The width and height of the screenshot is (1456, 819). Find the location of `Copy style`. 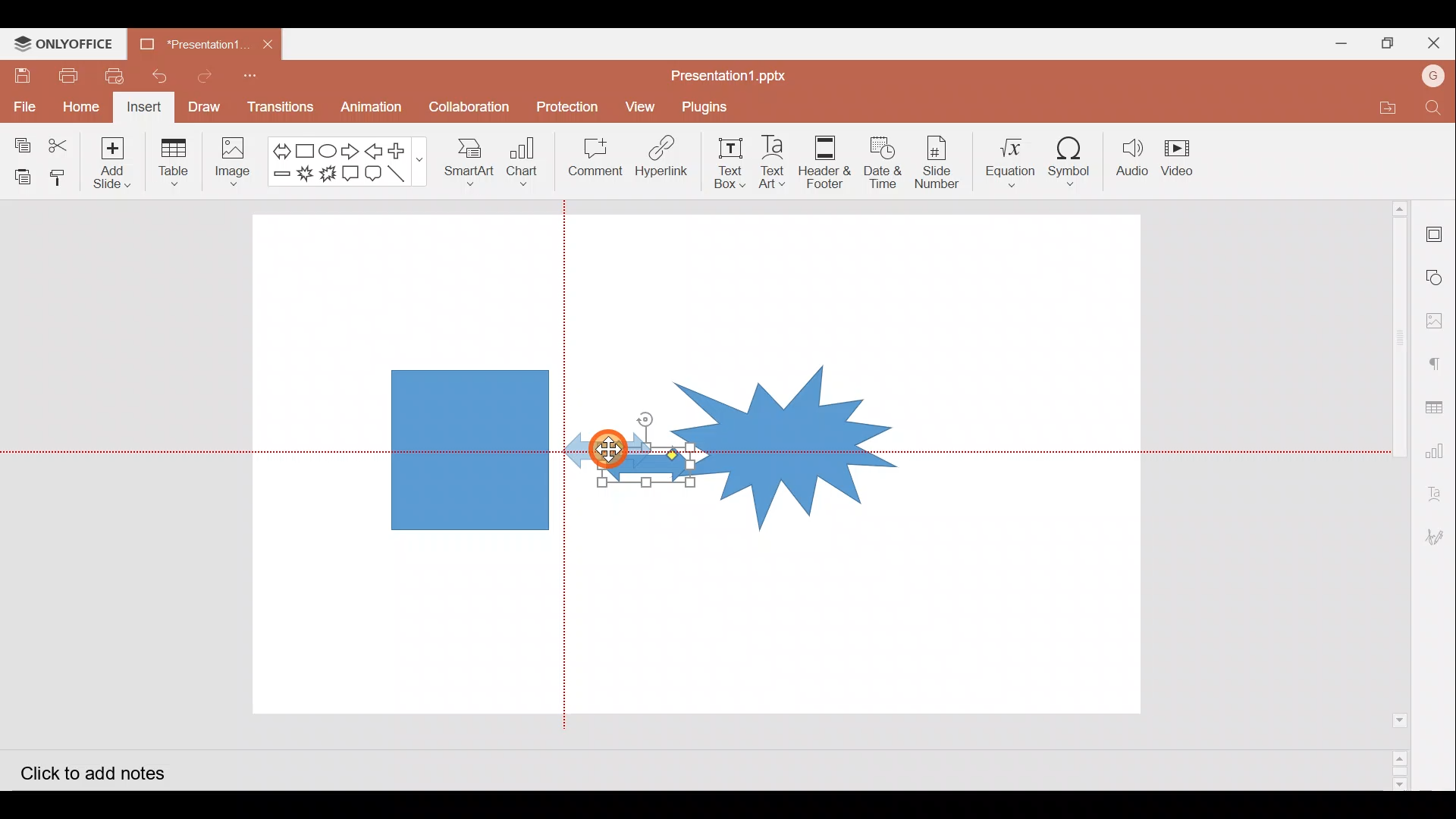

Copy style is located at coordinates (63, 177).